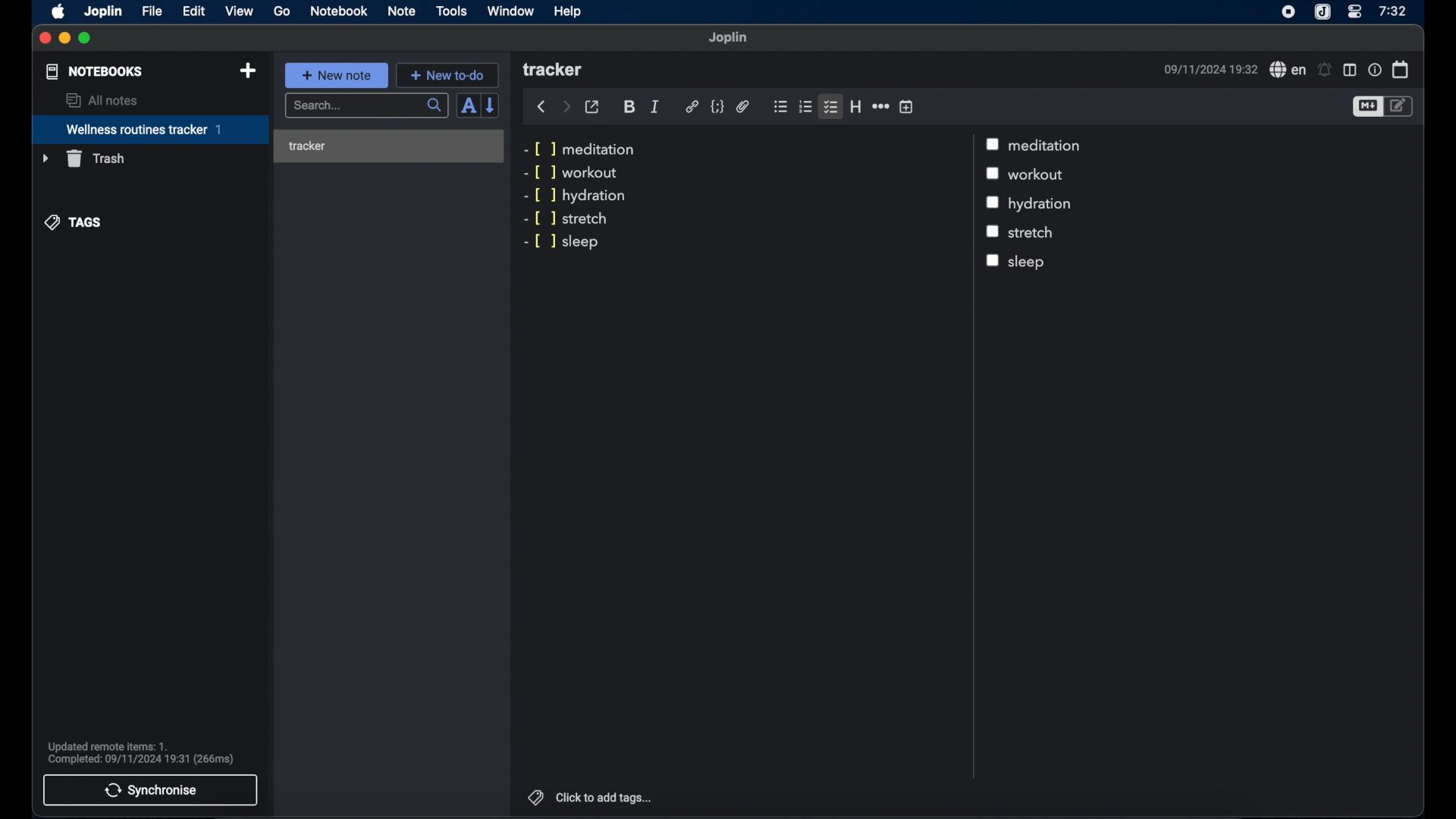  Describe the element at coordinates (101, 100) in the screenshot. I see `all notes` at that location.